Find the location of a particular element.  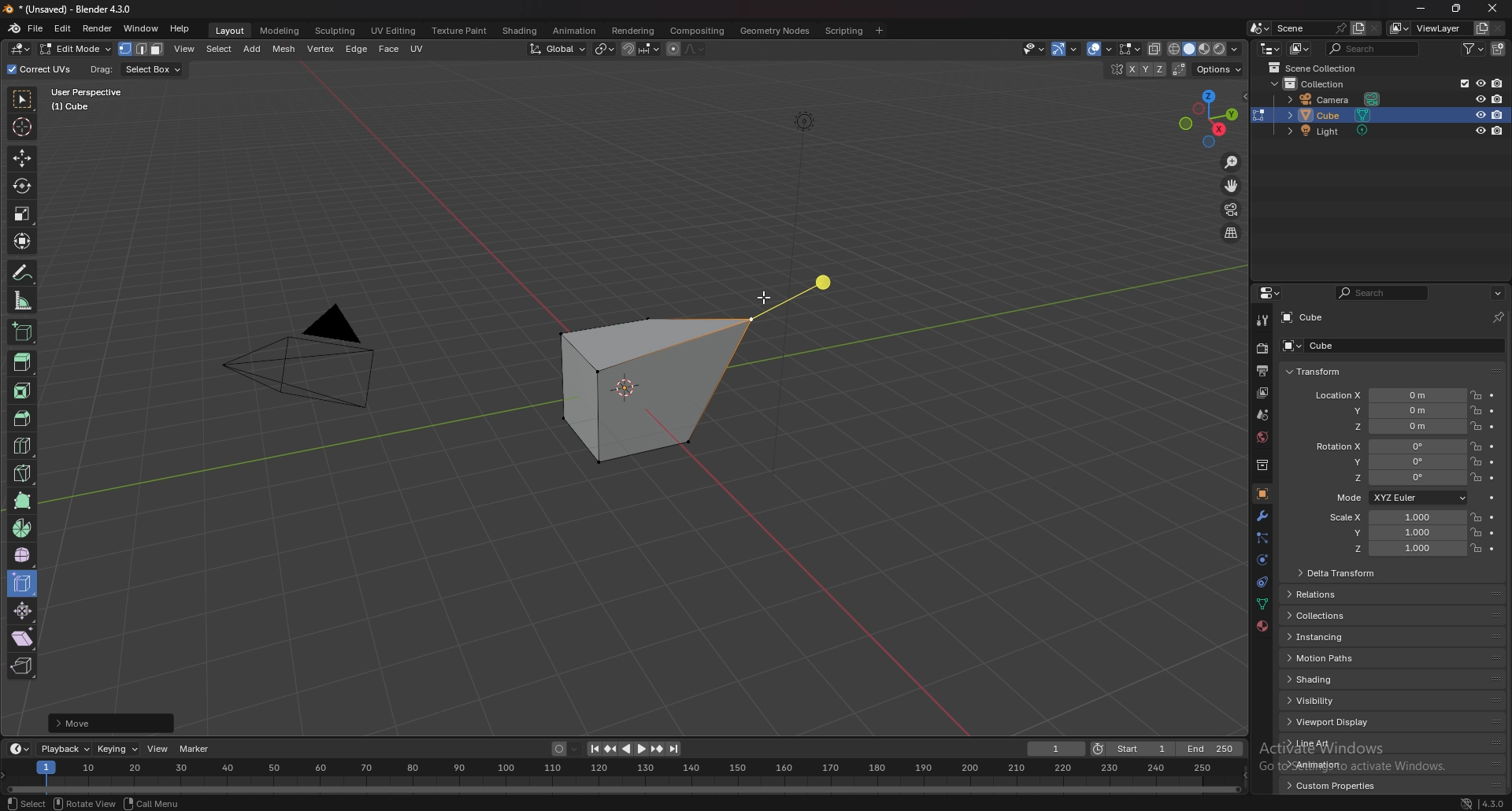

jump to keyframe is located at coordinates (611, 749).